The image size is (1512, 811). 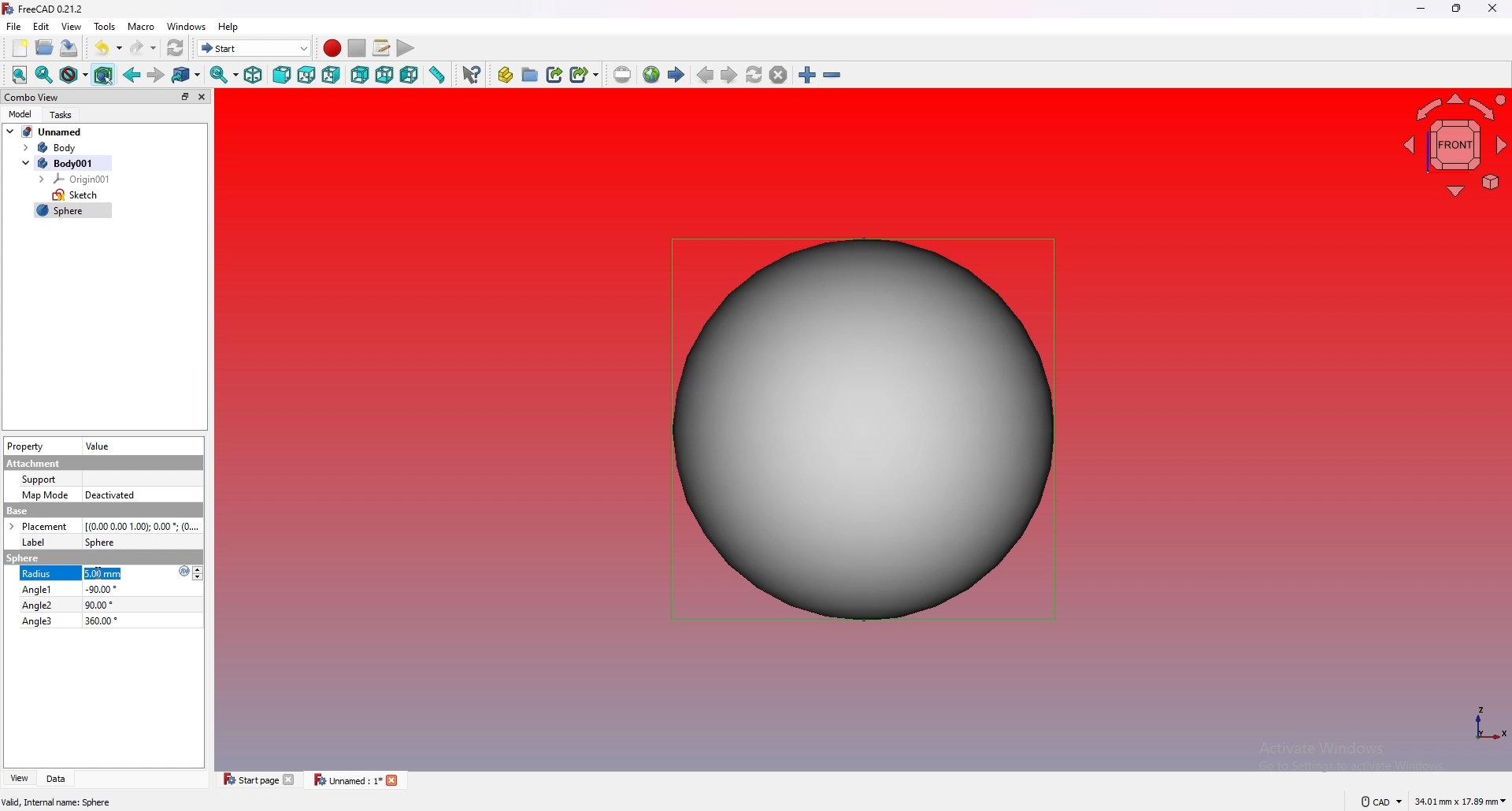 What do you see at coordinates (176, 47) in the screenshot?
I see `refresh` at bounding box center [176, 47].